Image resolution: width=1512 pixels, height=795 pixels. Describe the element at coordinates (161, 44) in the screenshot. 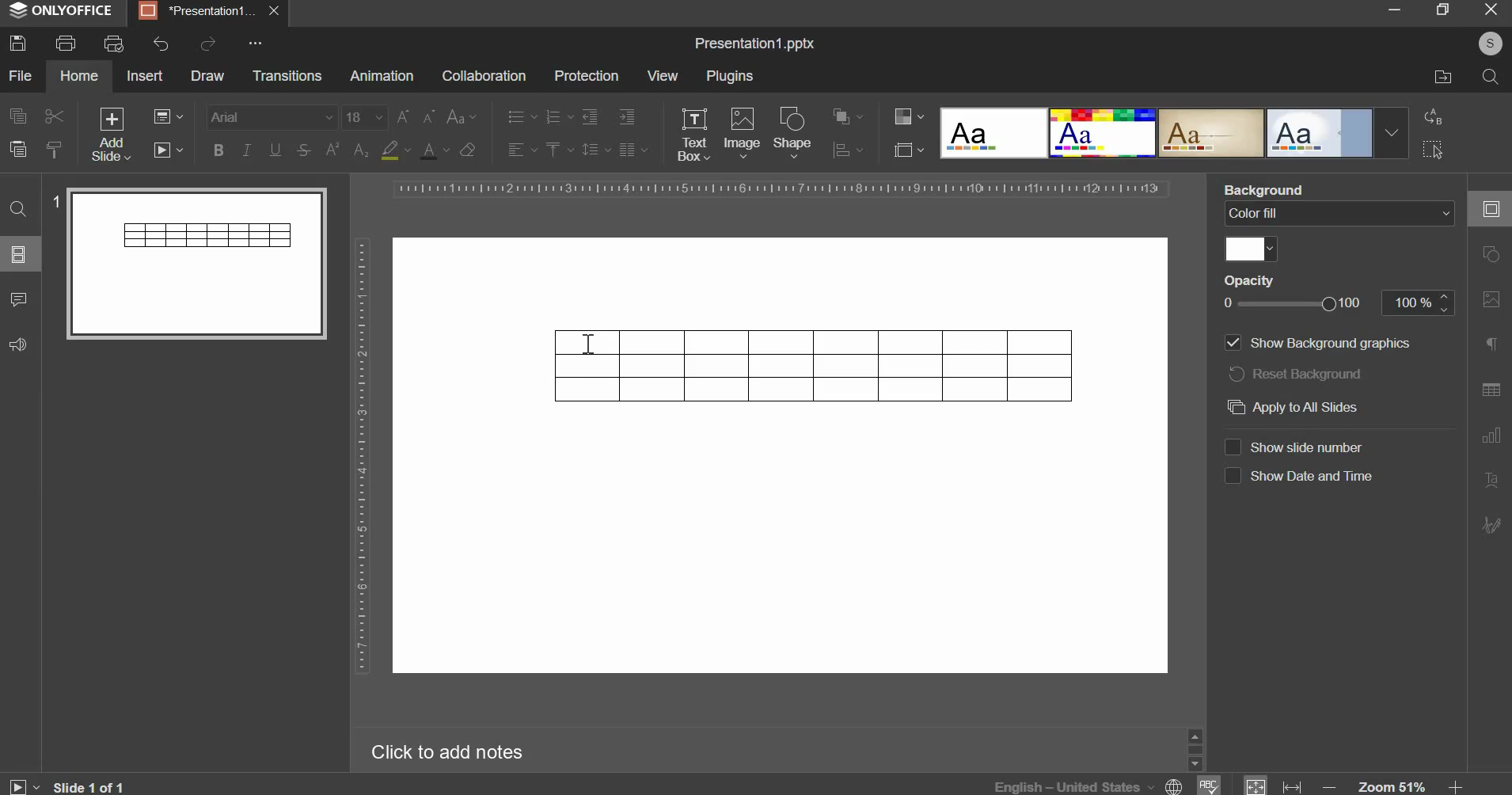

I see `undo` at that location.